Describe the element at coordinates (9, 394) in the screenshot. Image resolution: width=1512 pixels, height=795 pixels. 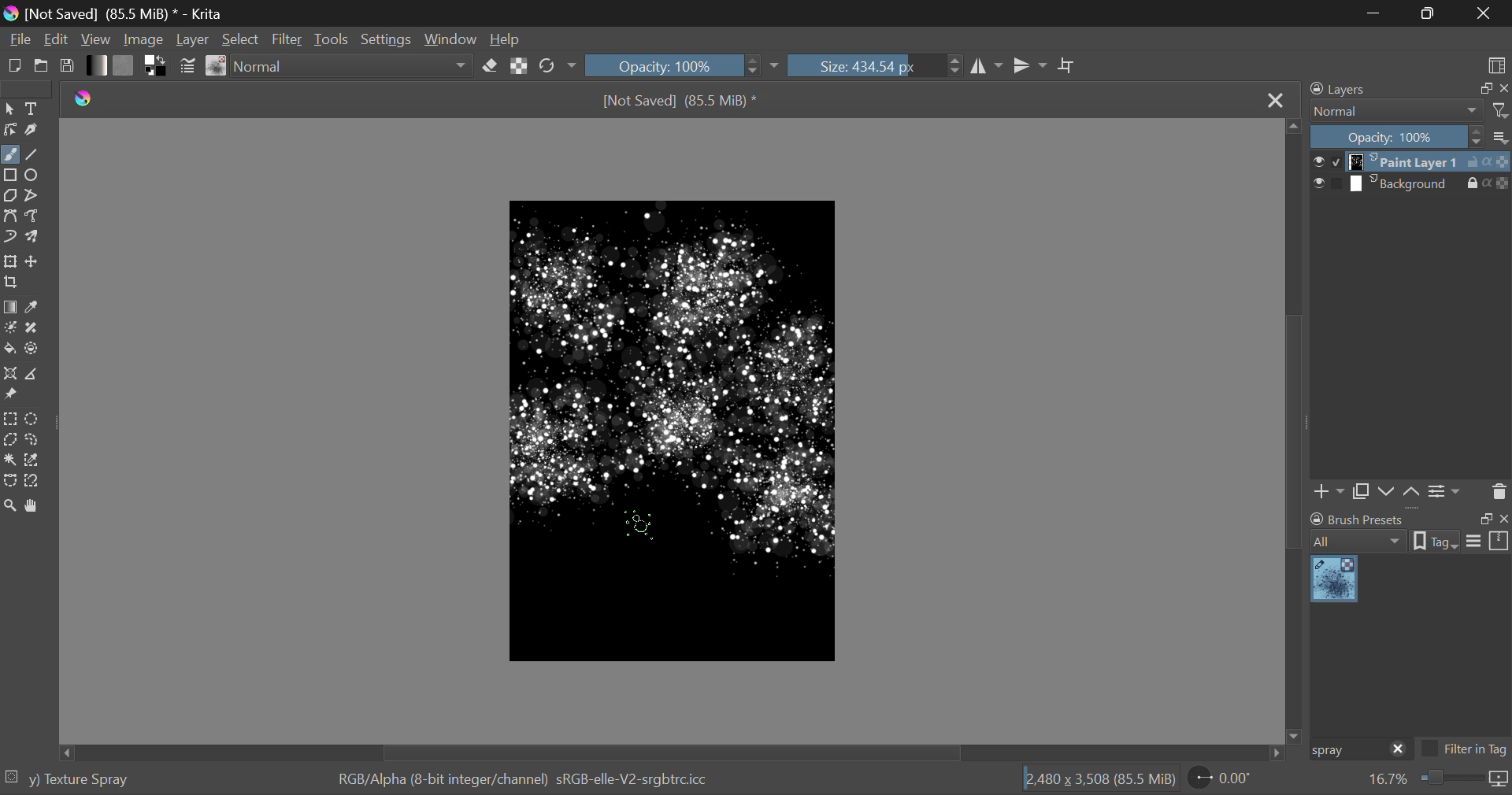
I see `Reference Images` at that location.